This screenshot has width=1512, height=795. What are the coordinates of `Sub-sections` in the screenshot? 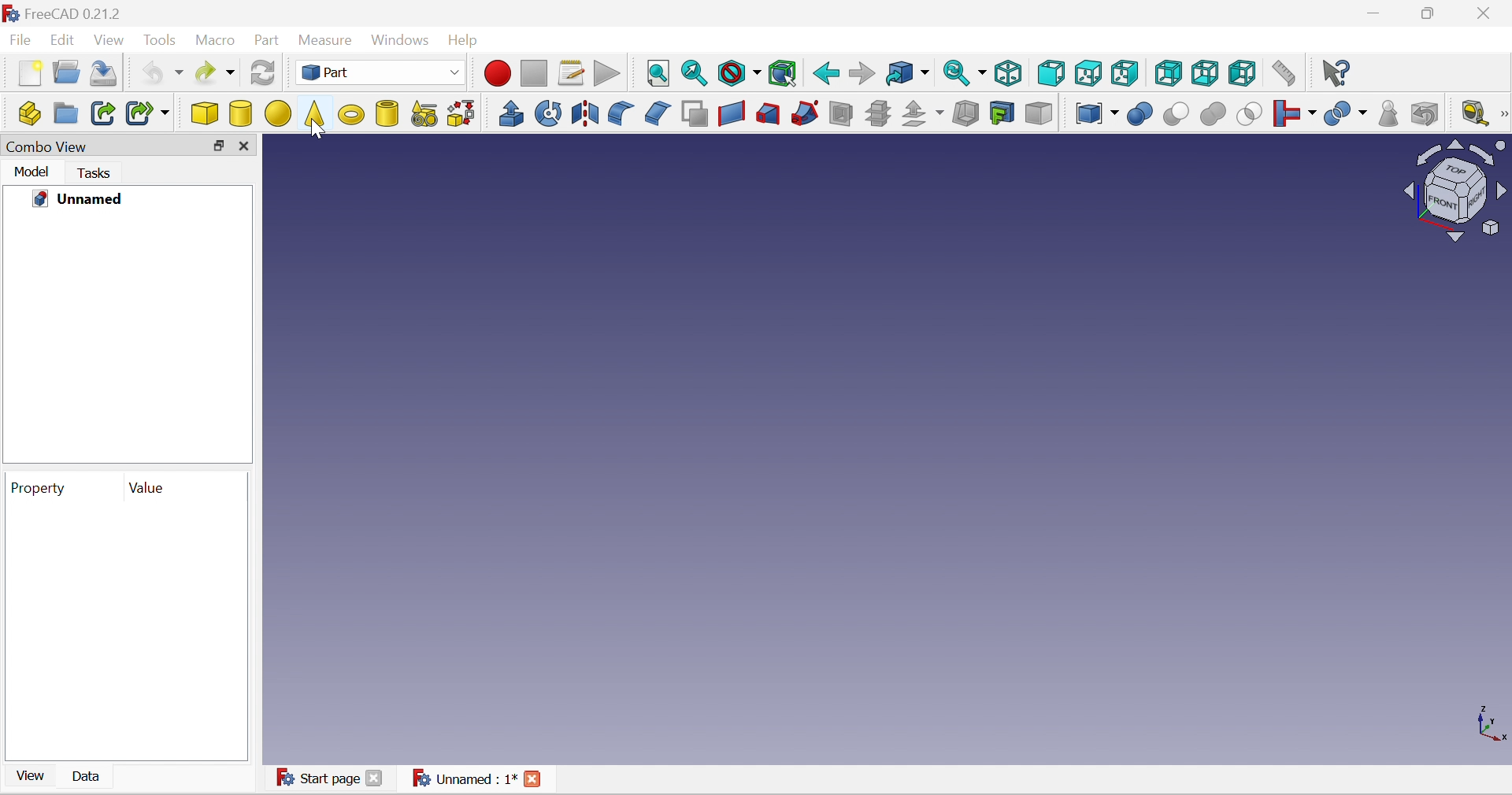 It's located at (877, 114).